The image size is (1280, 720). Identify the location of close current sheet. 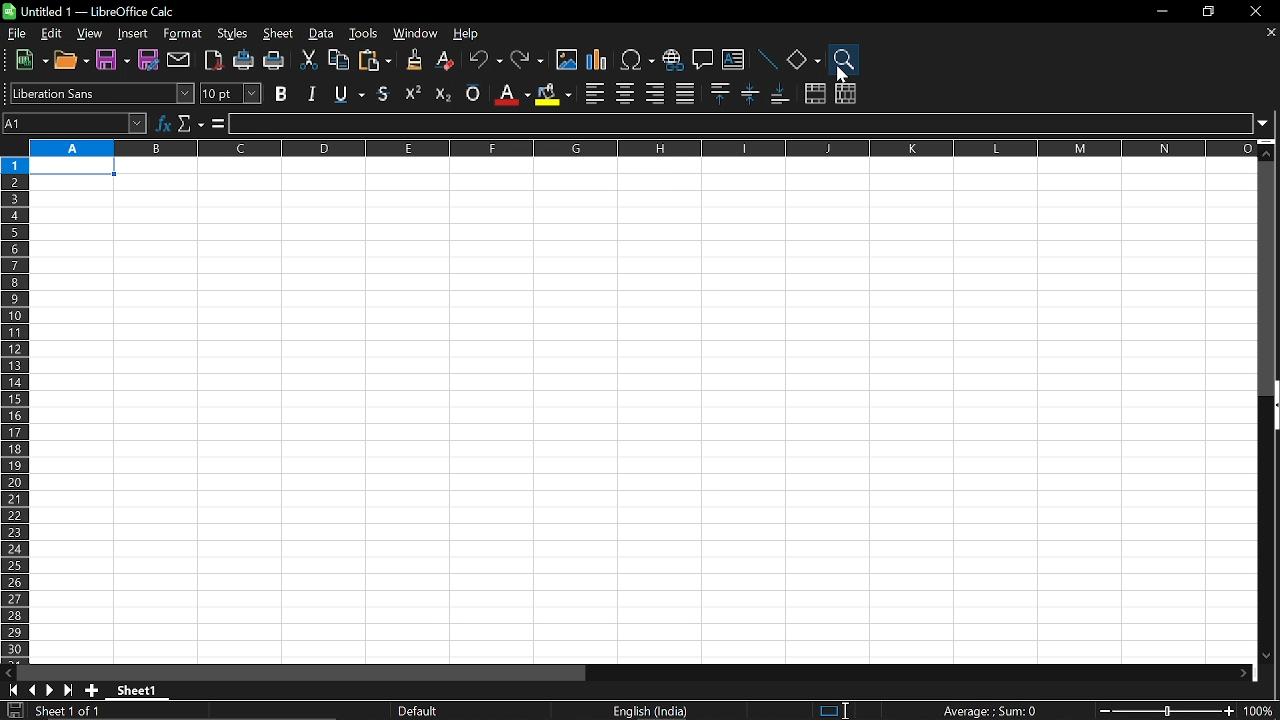
(1269, 34).